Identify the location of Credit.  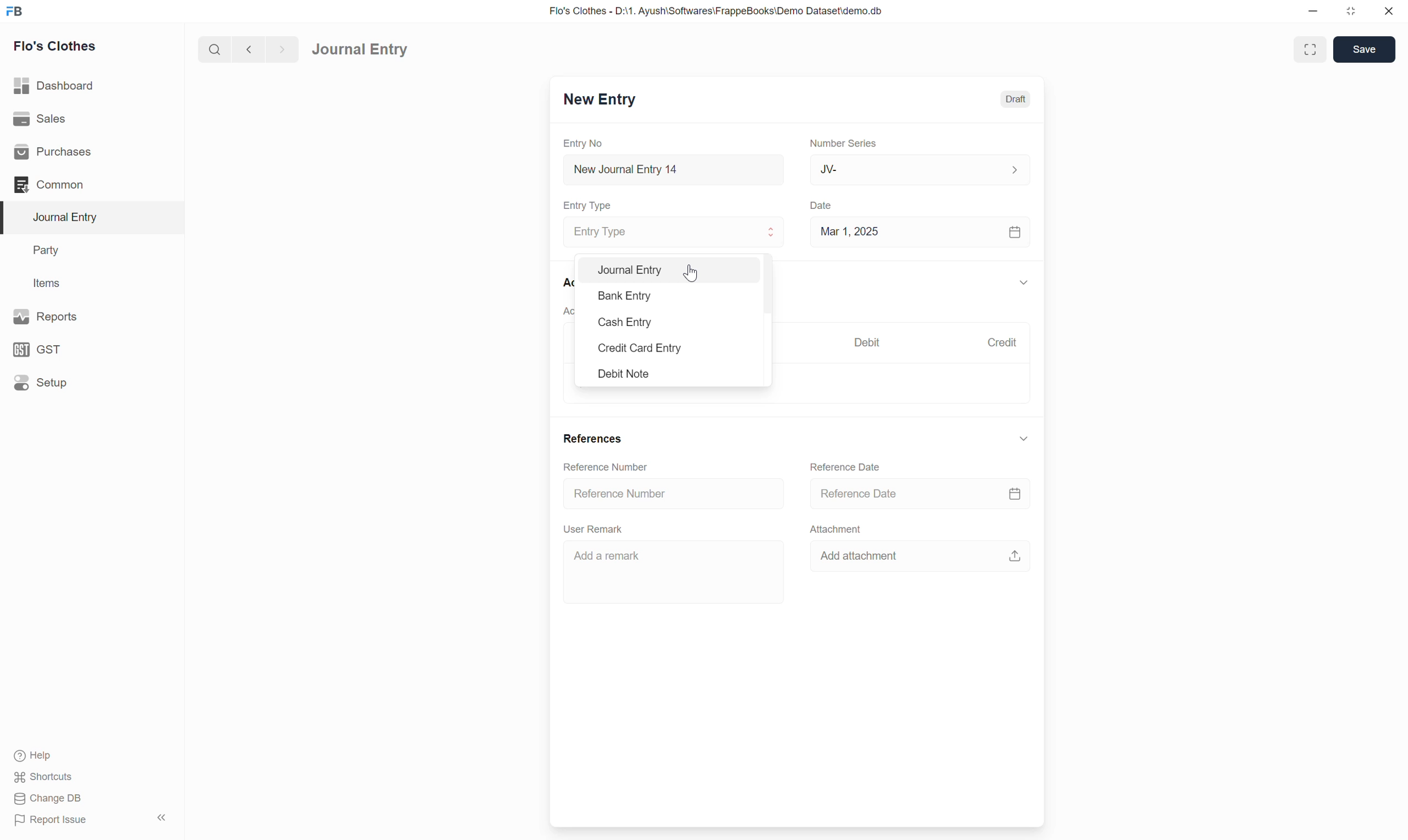
(1002, 342).